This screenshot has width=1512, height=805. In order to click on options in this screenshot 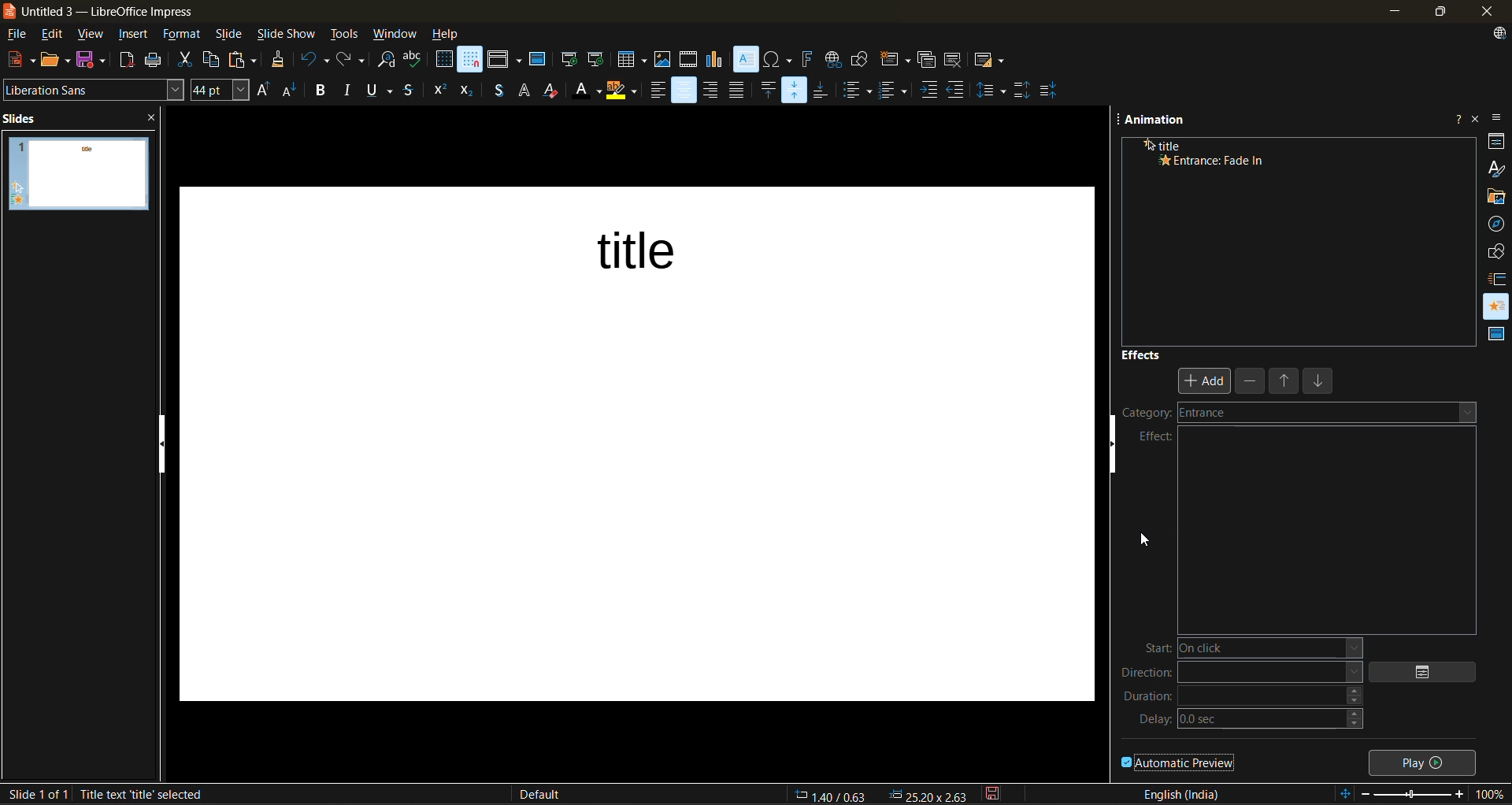, I will do `click(1430, 672)`.